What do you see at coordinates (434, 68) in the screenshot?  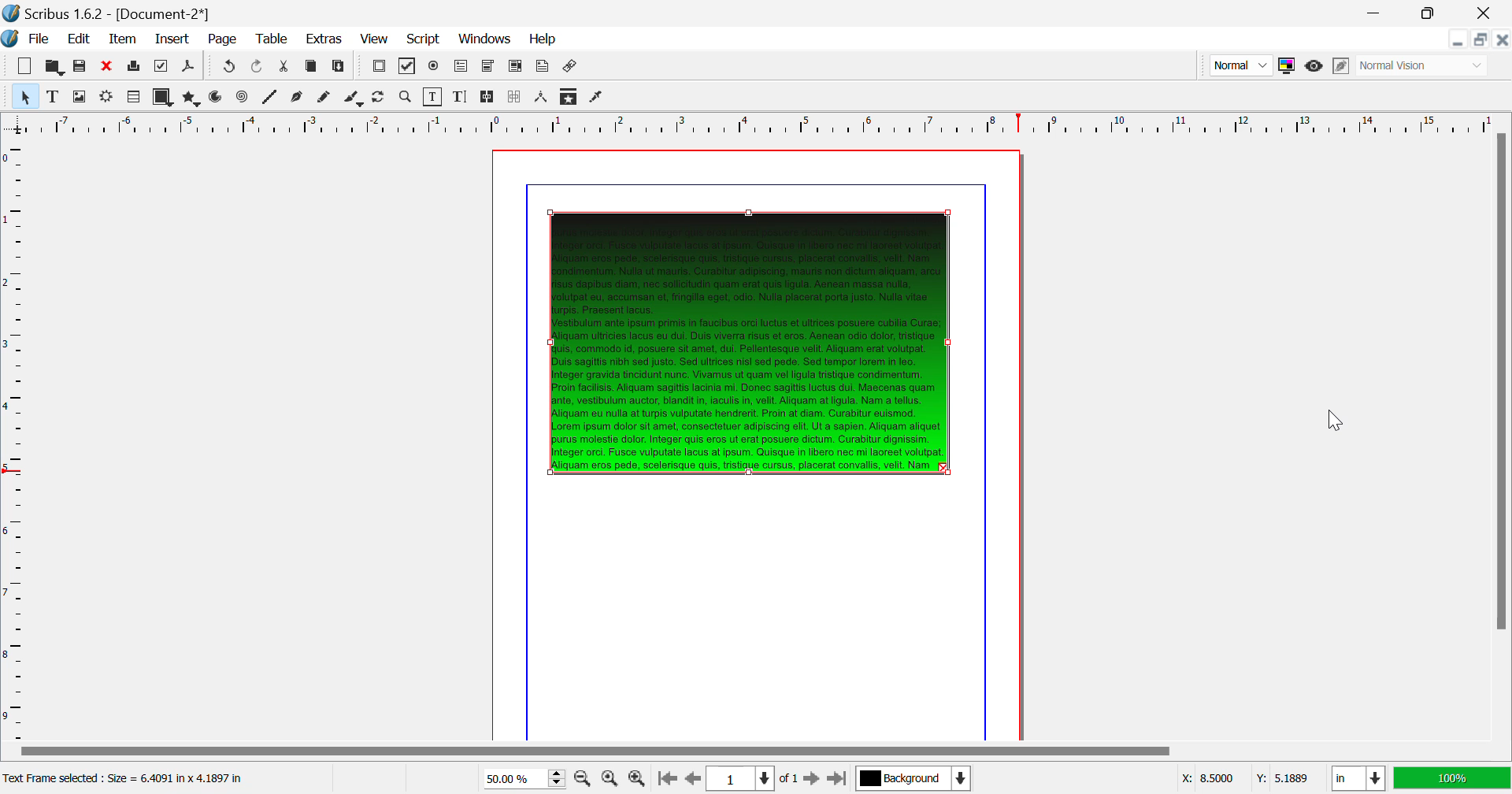 I see `Pdf Radio Button` at bounding box center [434, 68].